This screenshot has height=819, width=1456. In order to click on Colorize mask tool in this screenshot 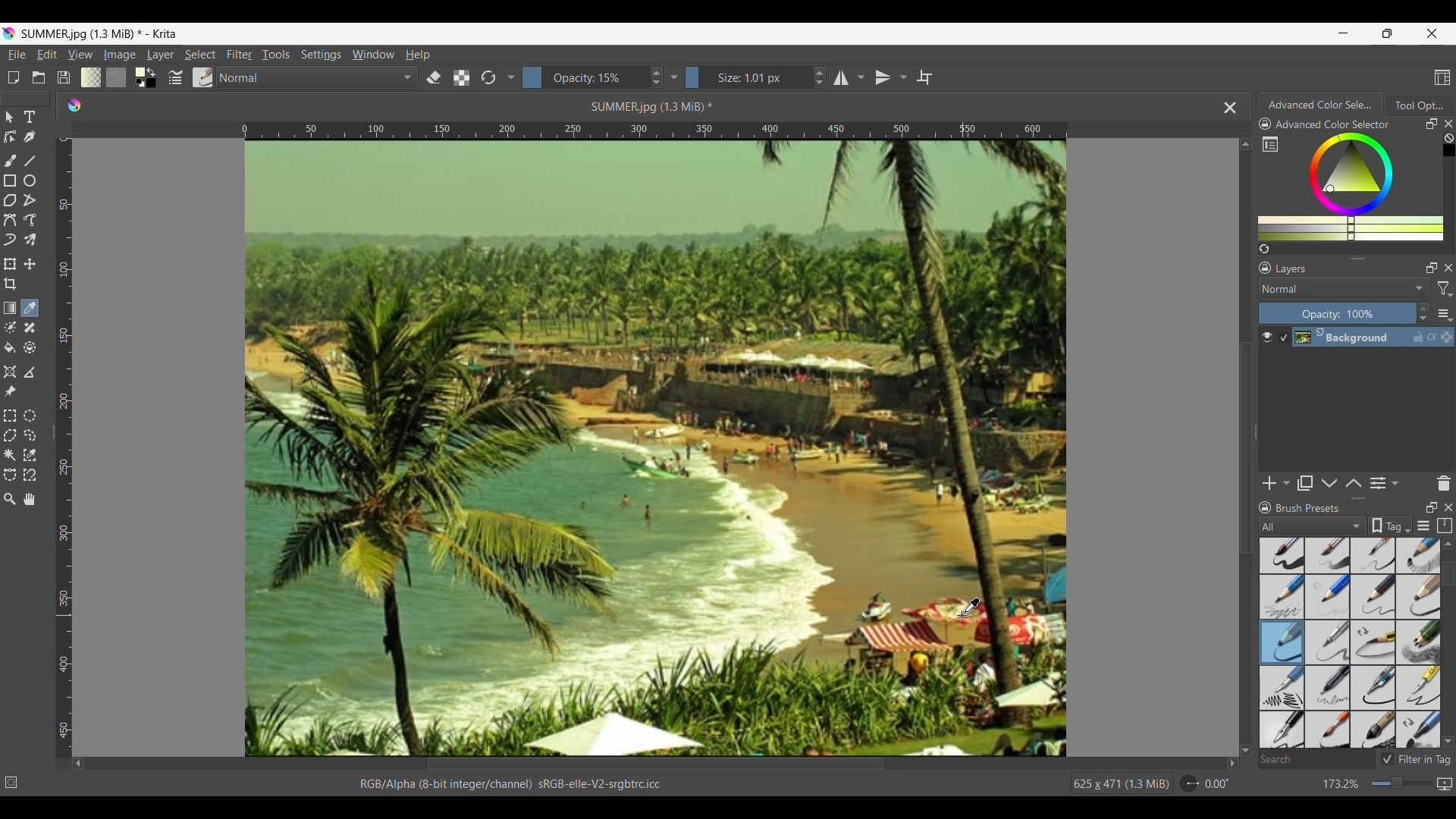, I will do `click(11, 328)`.